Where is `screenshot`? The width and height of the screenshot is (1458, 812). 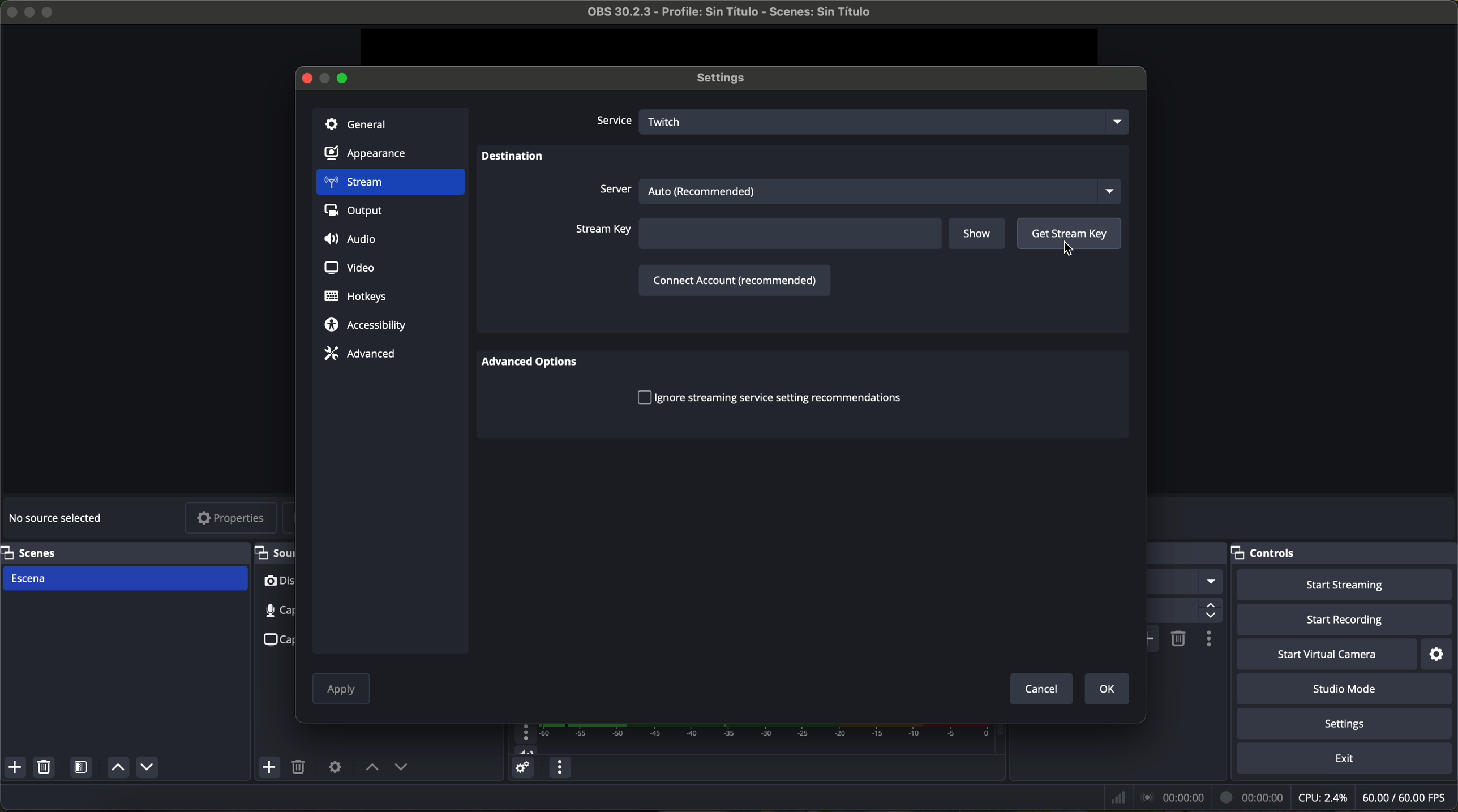 screenshot is located at coordinates (276, 639).